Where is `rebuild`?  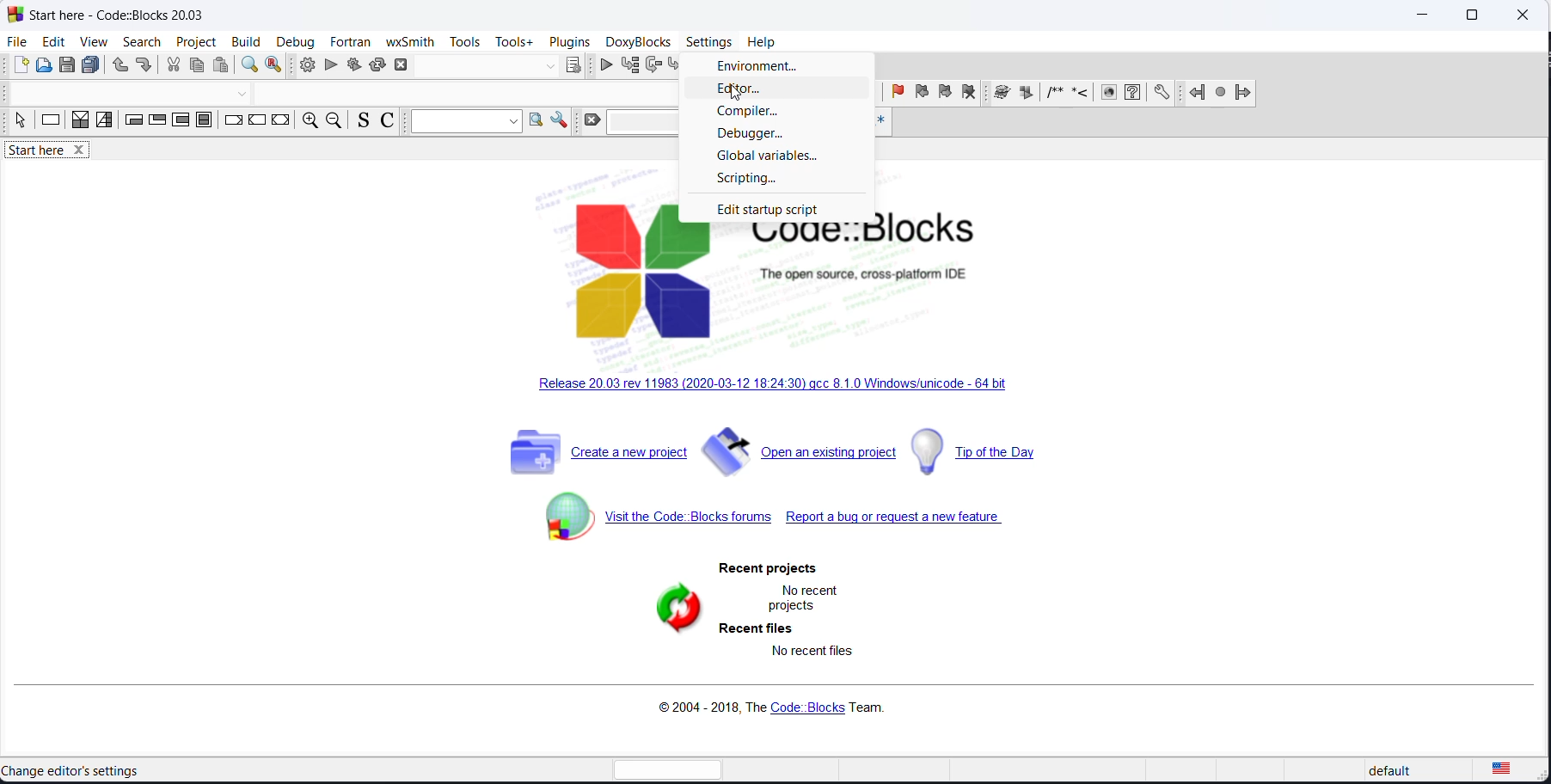 rebuild is located at coordinates (377, 66).